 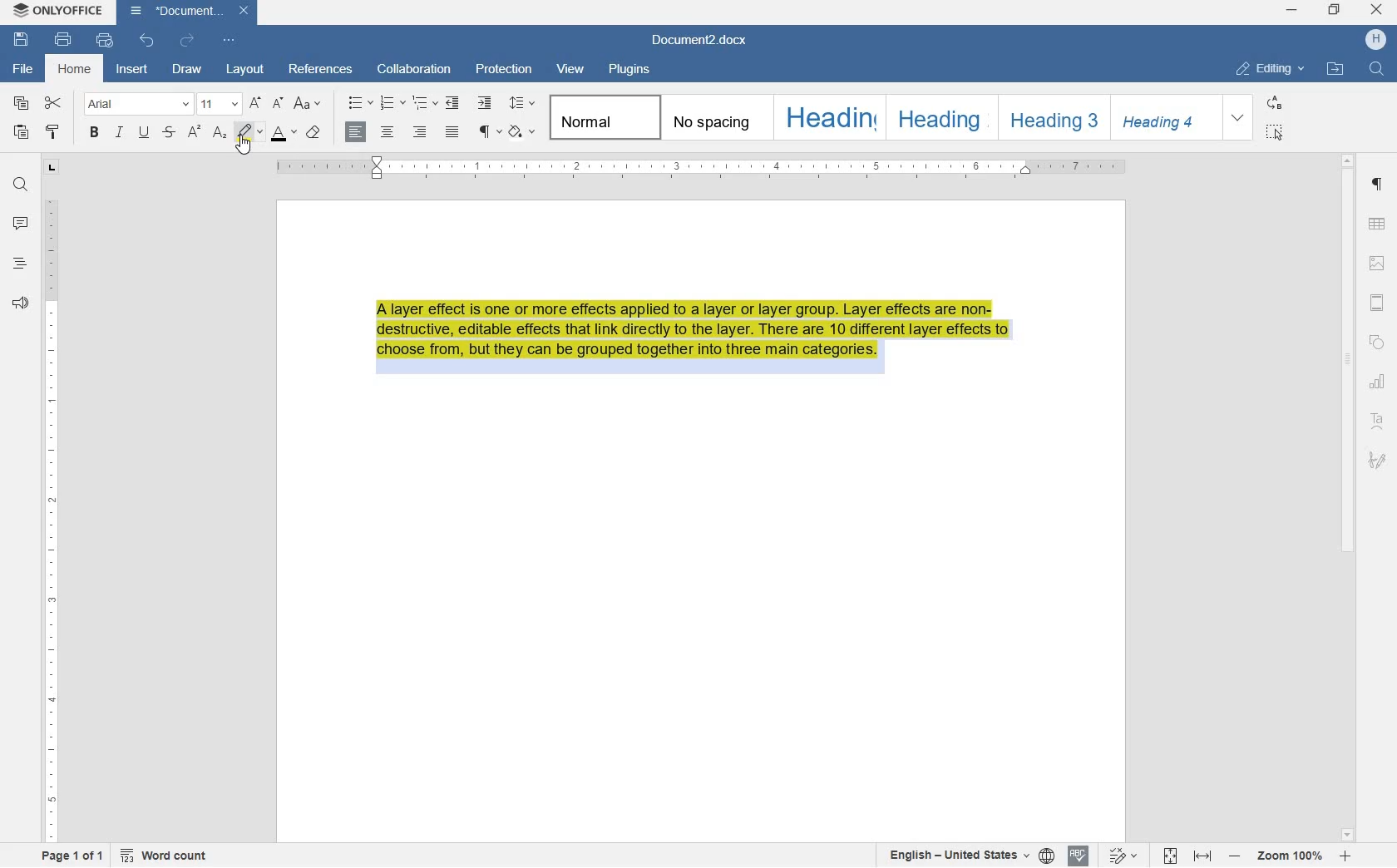 What do you see at coordinates (1290, 858) in the screenshot?
I see `ZOOM IN OR OUT` at bounding box center [1290, 858].